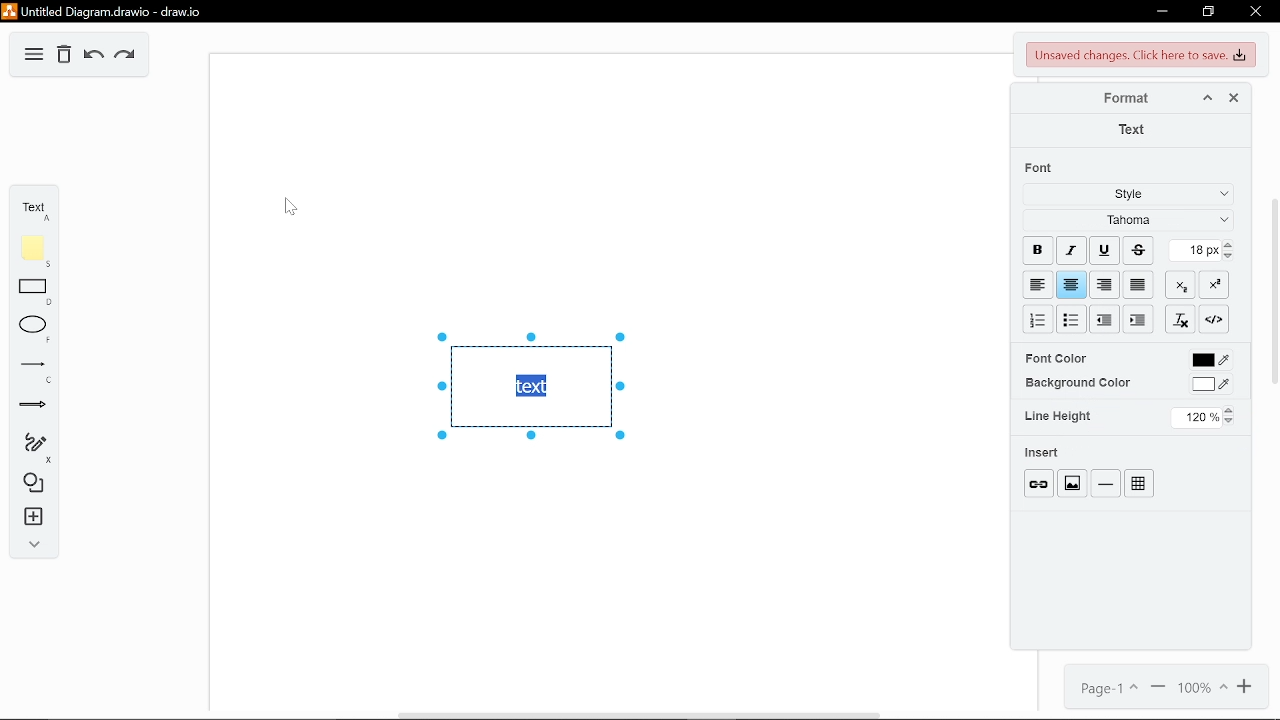 Image resolution: width=1280 pixels, height=720 pixels. I want to click on vertical scrollbar, so click(1274, 290).